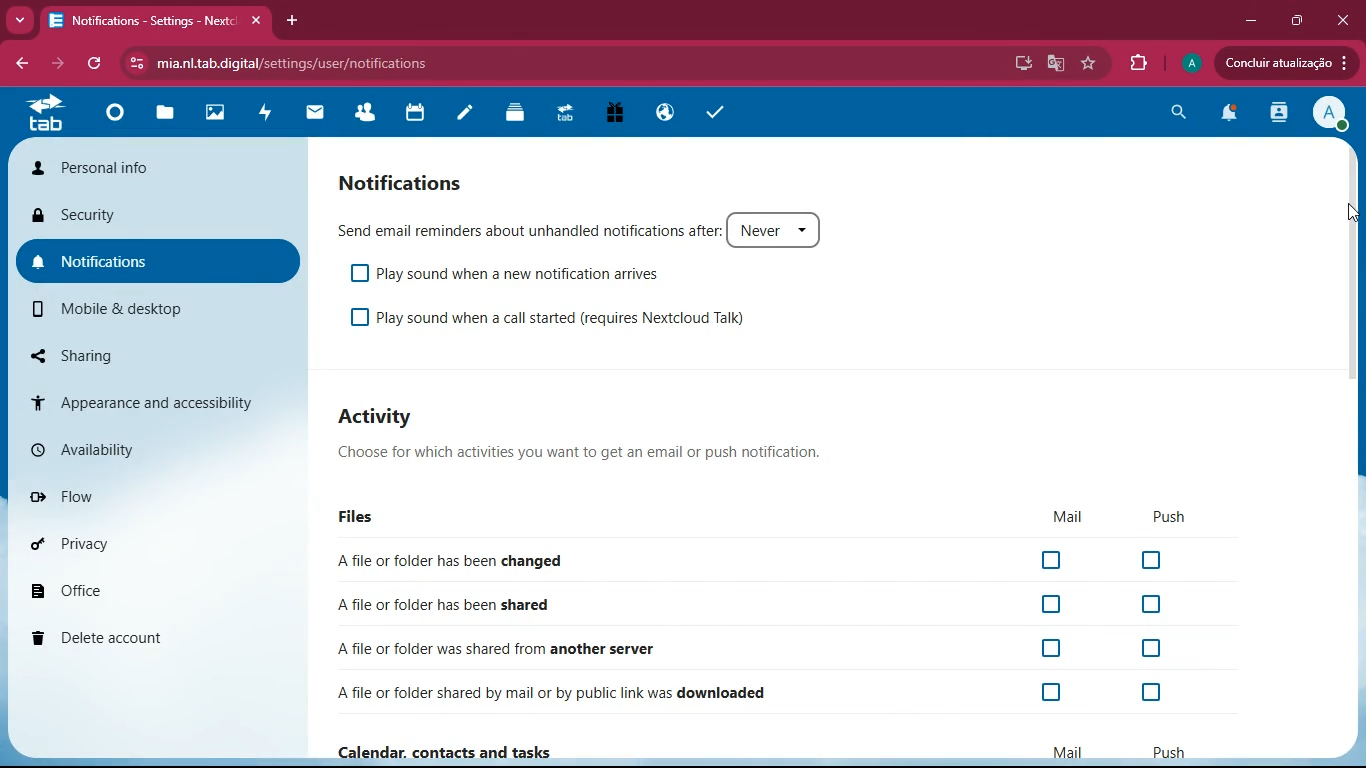  What do you see at coordinates (147, 353) in the screenshot?
I see `sharing` at bounding box center [147, 353].